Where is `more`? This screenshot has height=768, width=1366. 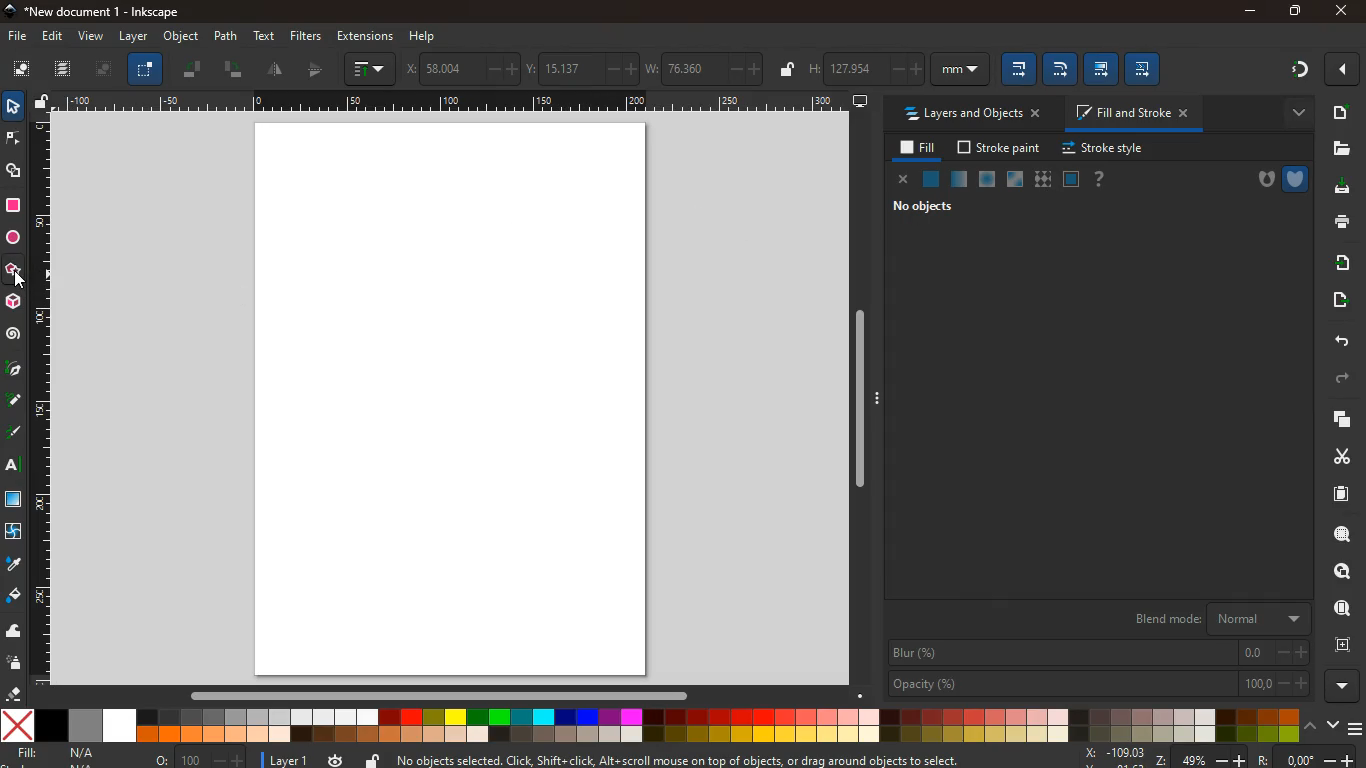 more is located at coordinates (1340, 71).